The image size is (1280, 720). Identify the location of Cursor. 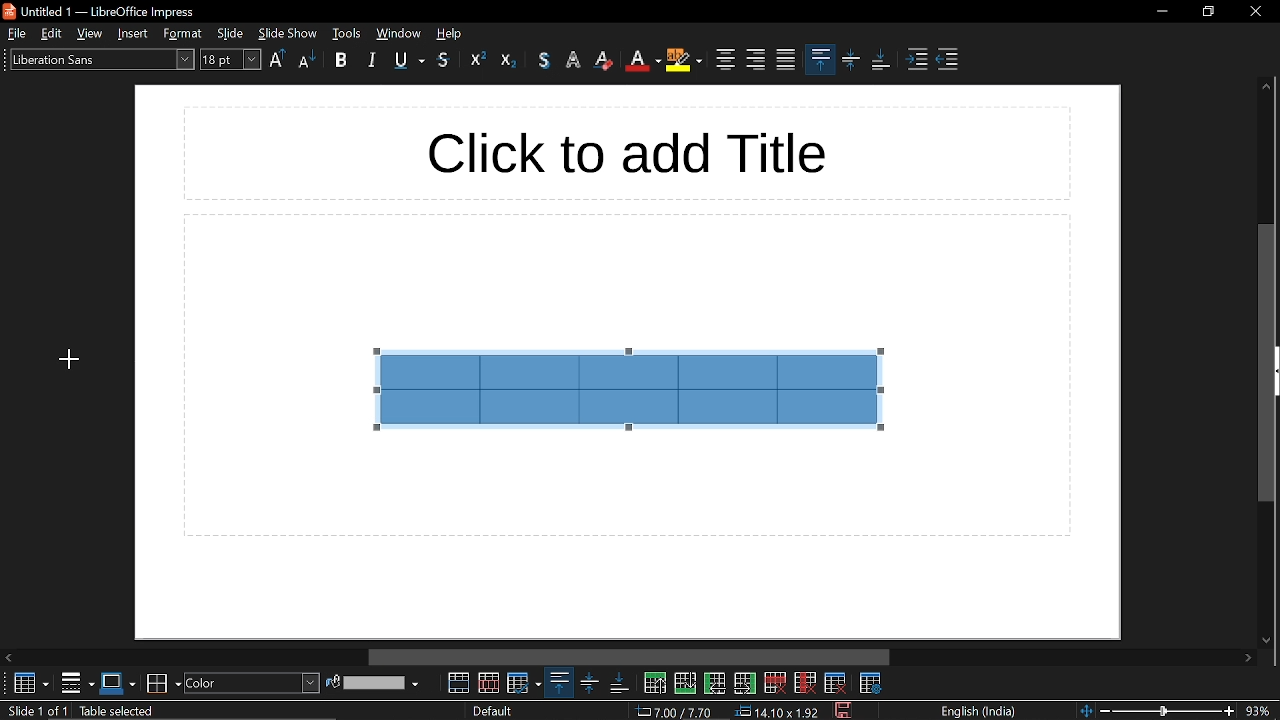
(71, 357).